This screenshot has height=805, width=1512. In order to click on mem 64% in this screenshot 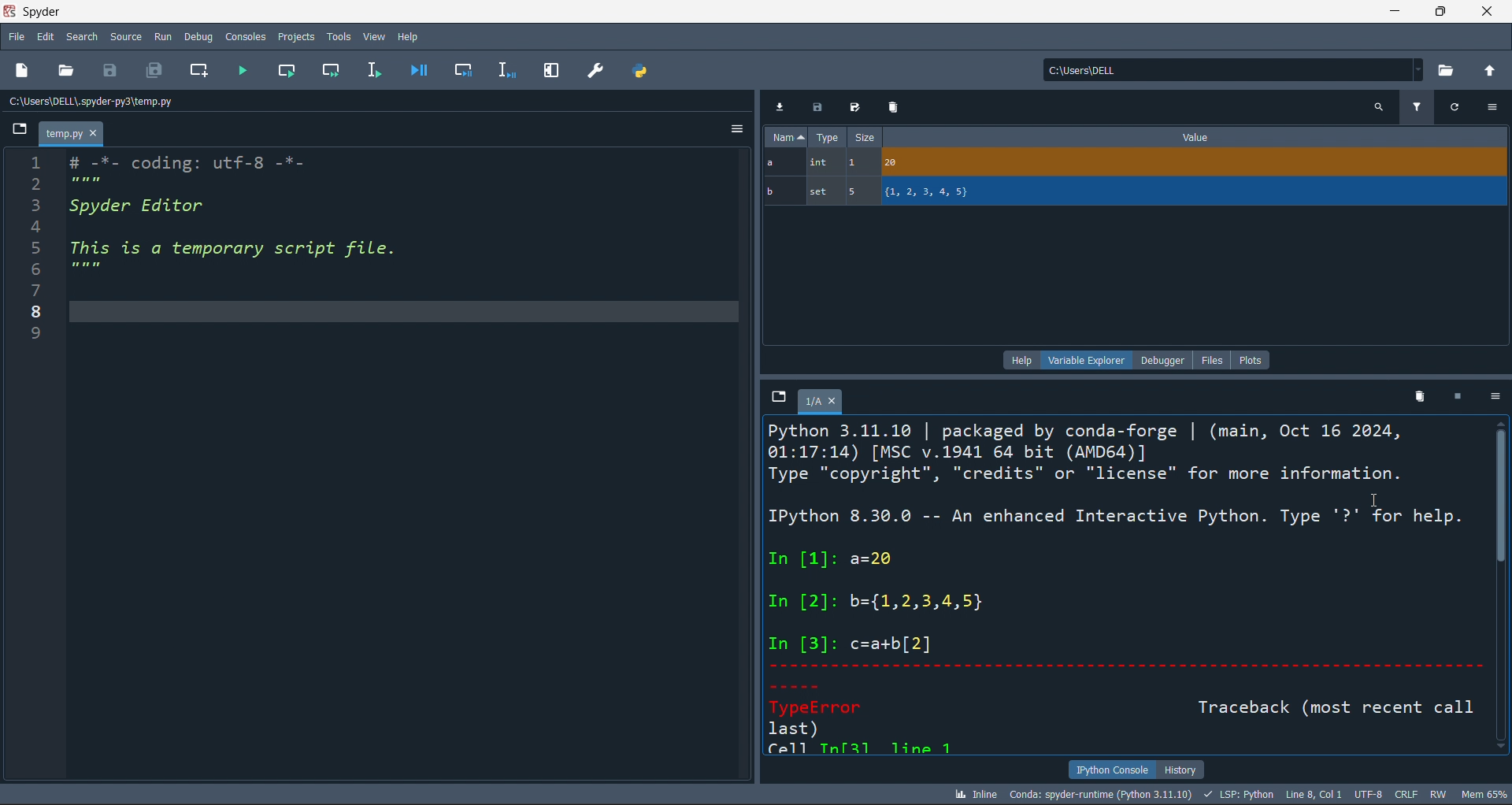, I will do `click(1482, 793)`.